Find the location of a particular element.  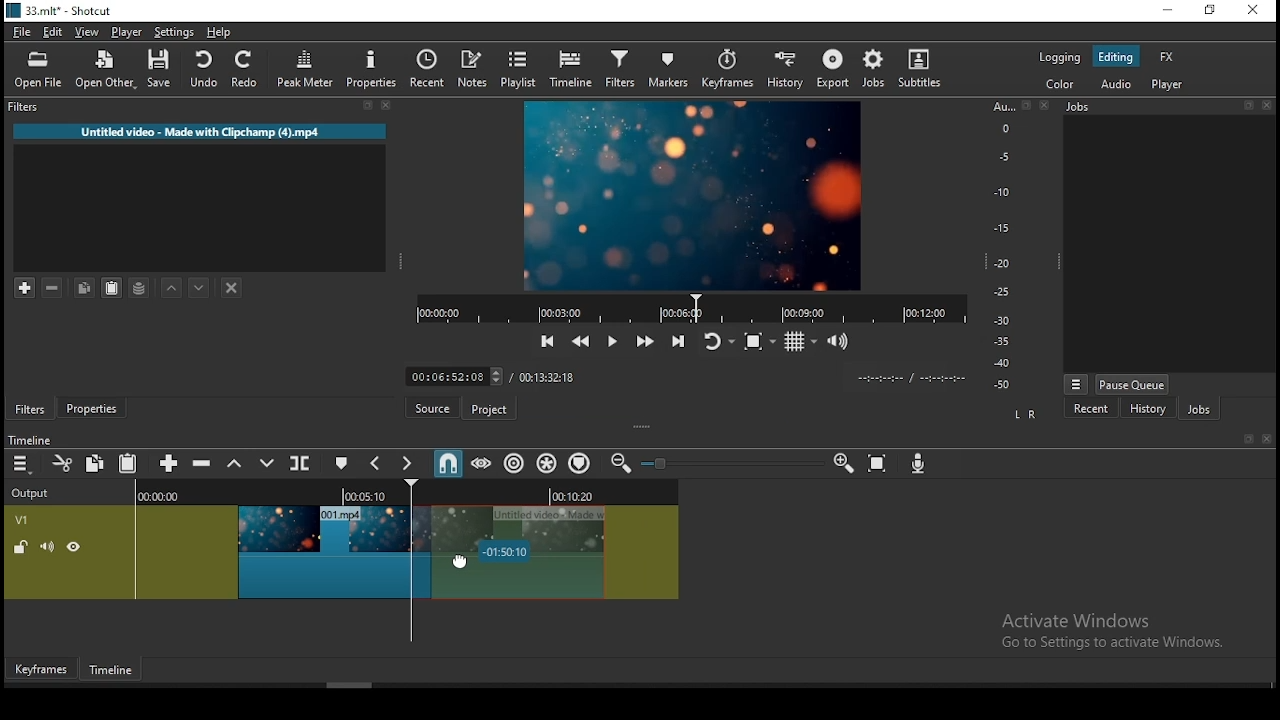

scale is located at coordinates (1007, 247).